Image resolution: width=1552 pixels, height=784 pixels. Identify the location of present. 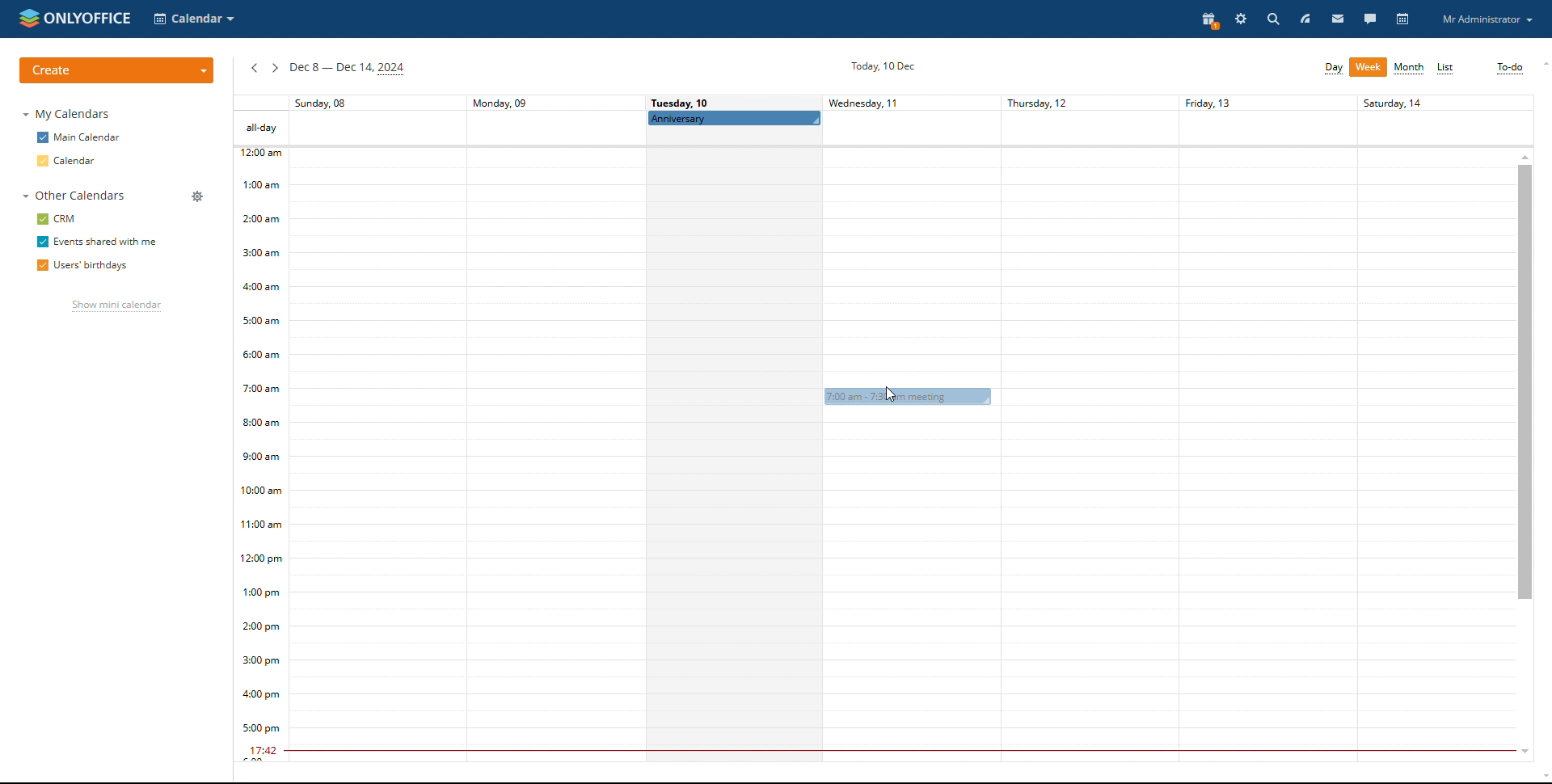
(1211, 21).